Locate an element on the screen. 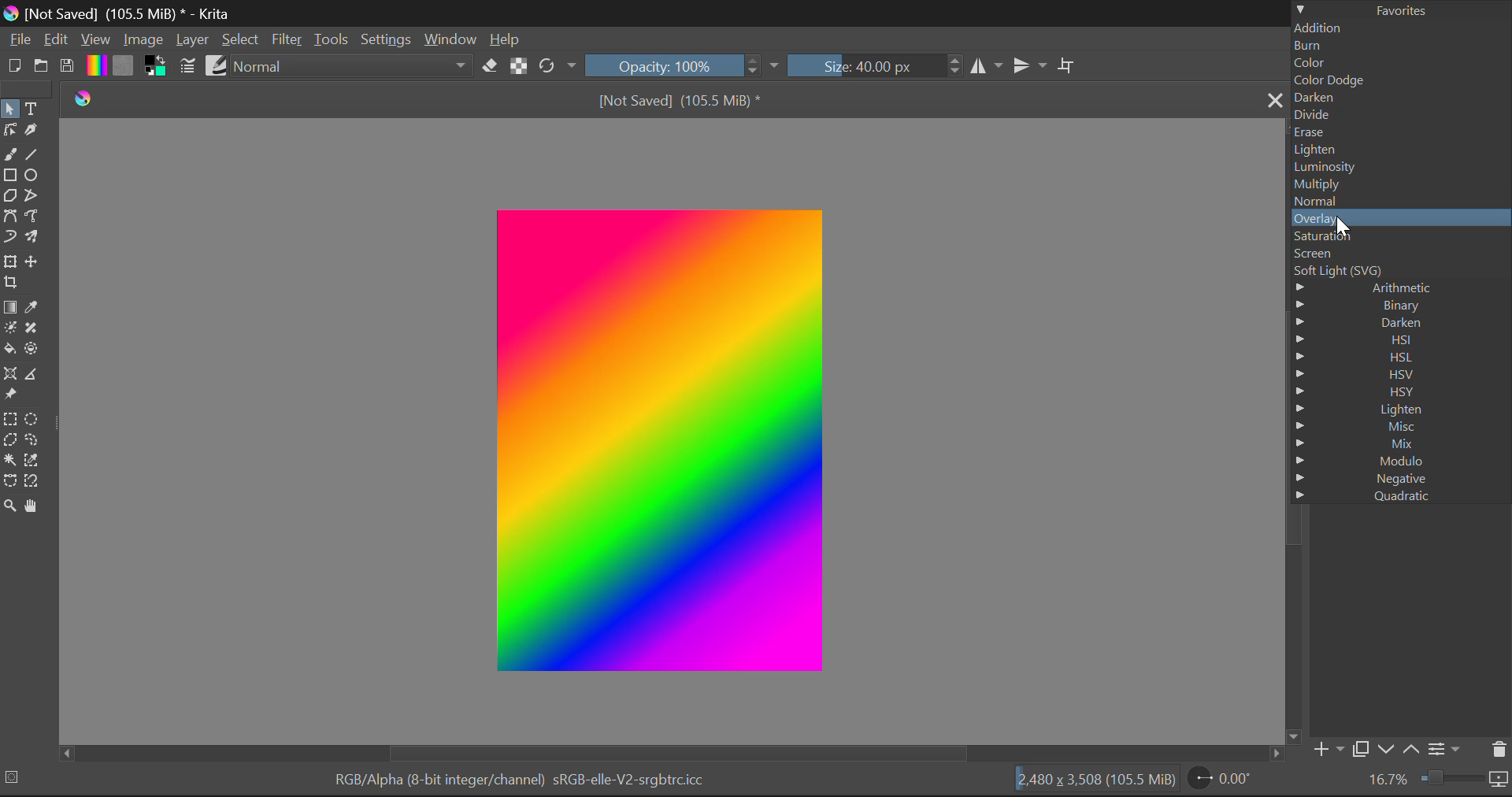  Tools is located at coordinates (335, 39).